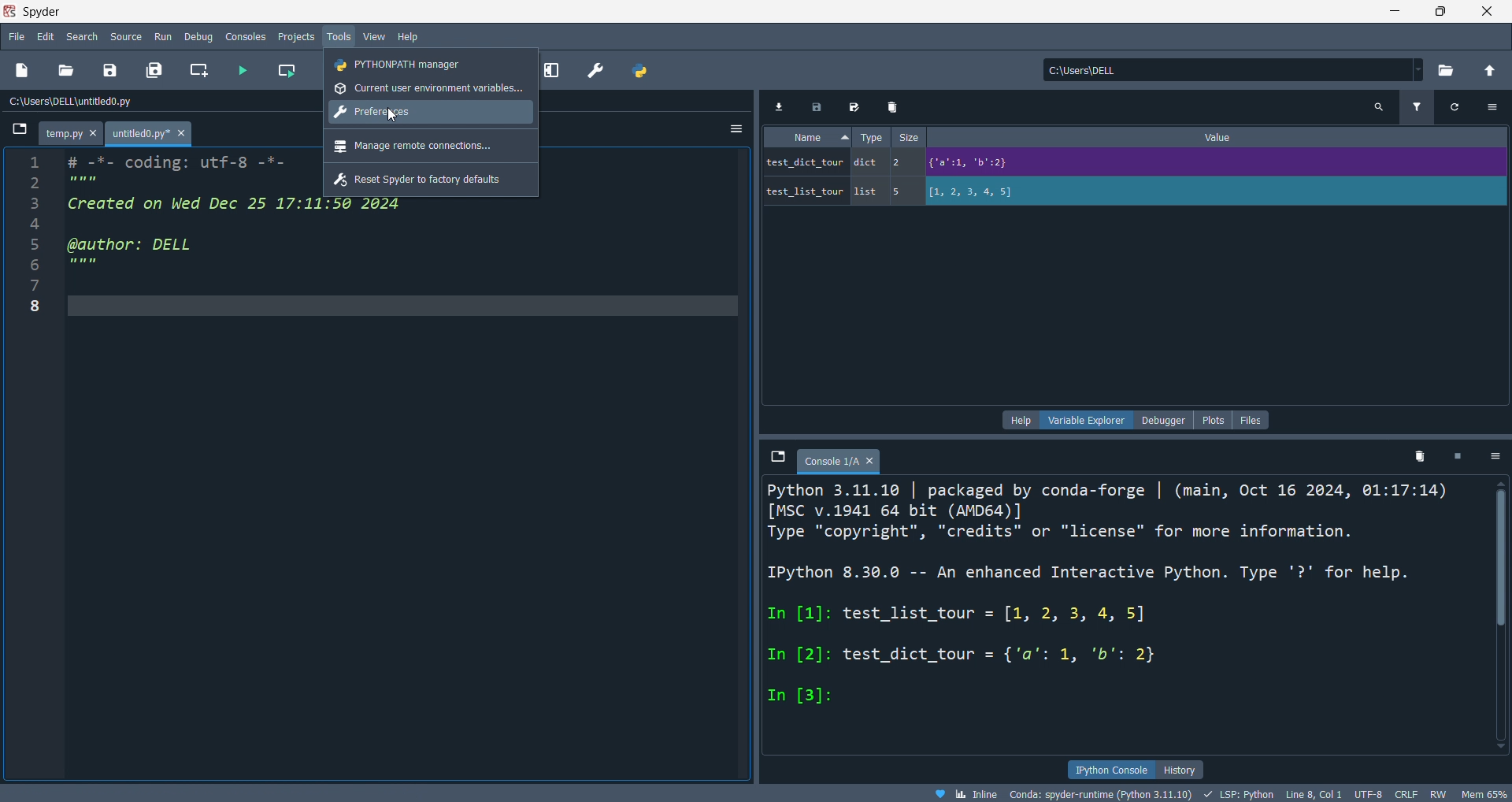 This screenshot has height=802, width=1512. Describe the element at coordinates (1495, 111) in the screenshot. I see `options` at that location.